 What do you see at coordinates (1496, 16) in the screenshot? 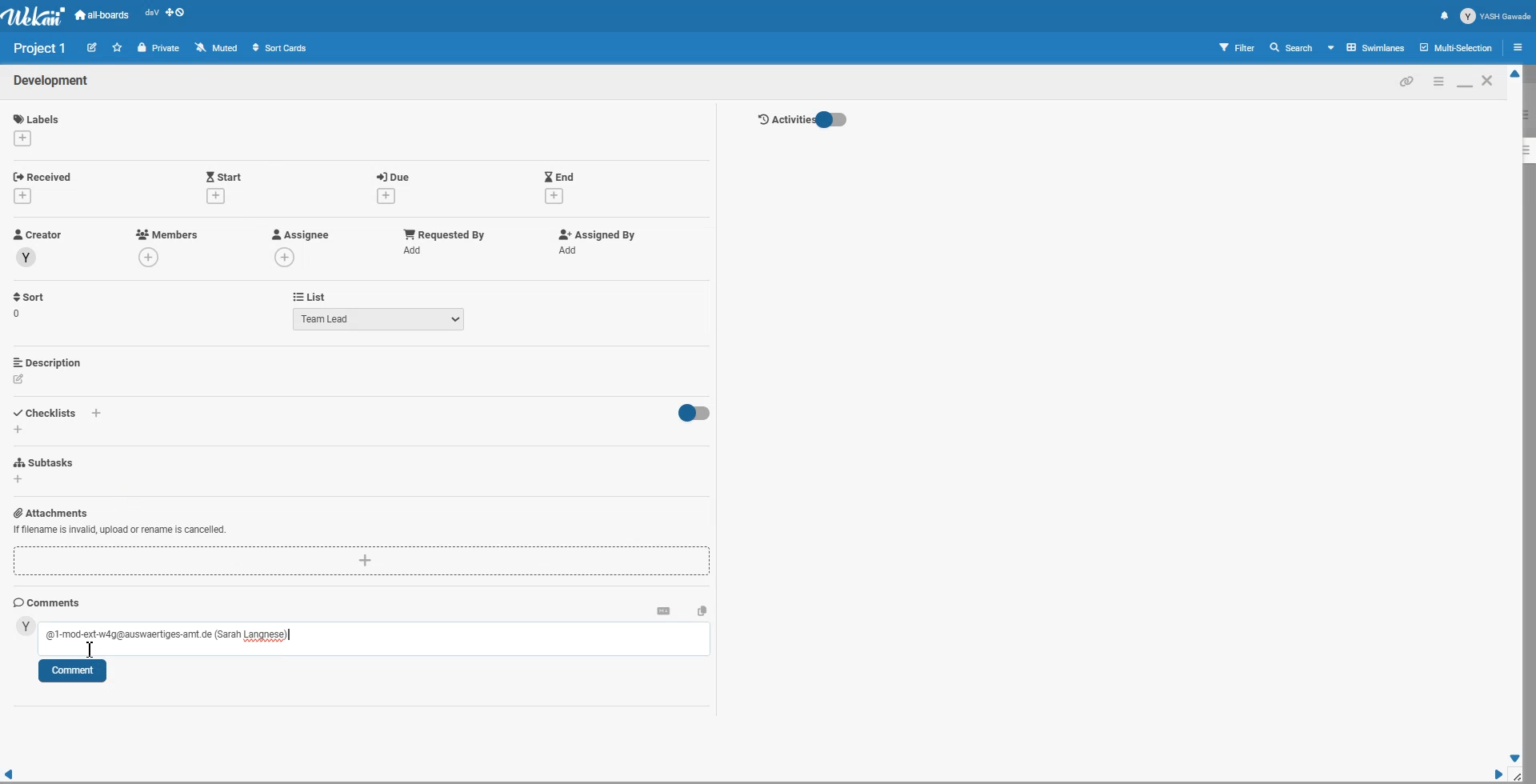
I see `Profile` at bounding box center [1496, 16].